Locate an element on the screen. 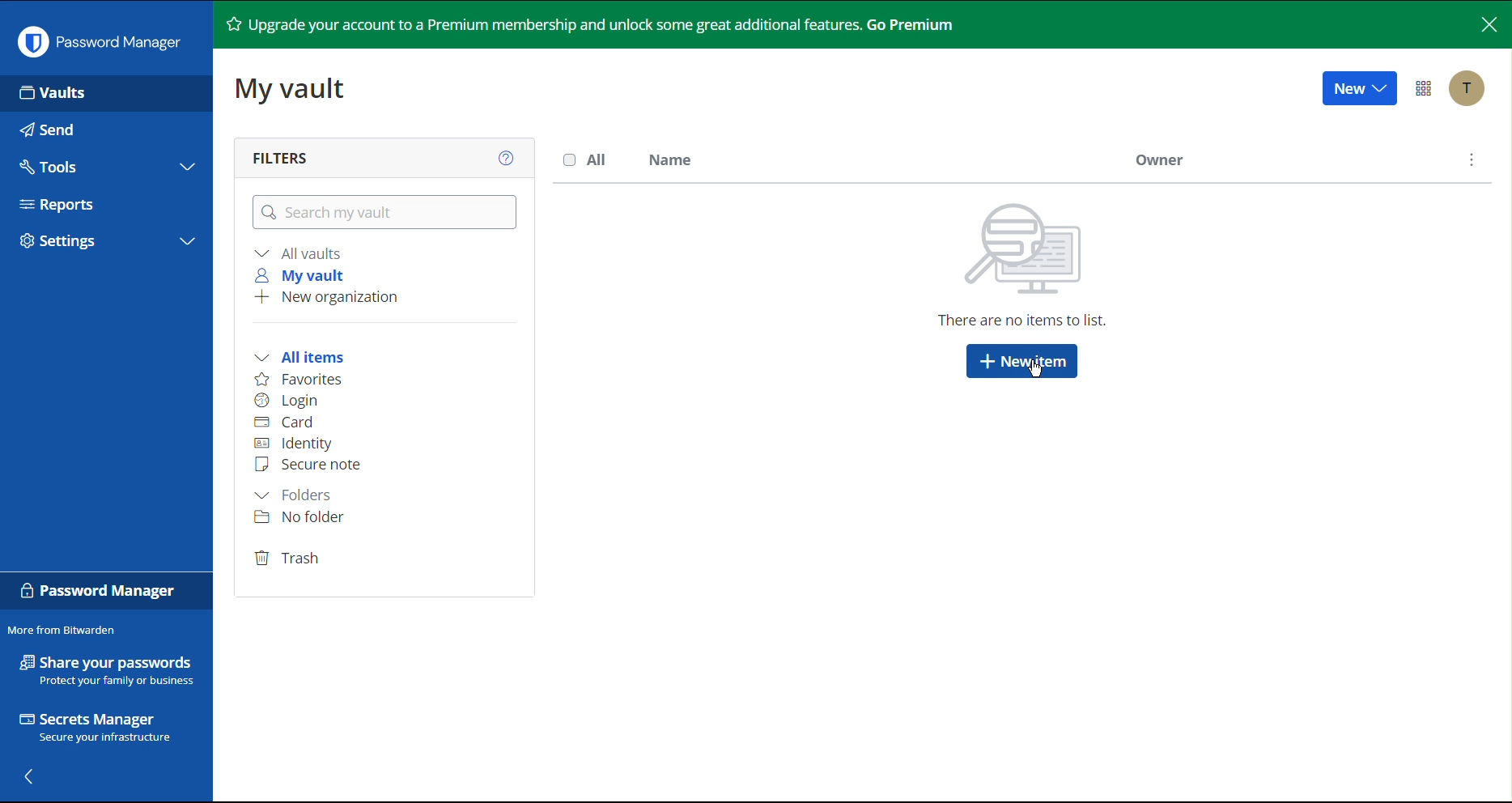 The image size is (1512, 803). More is located at coordinates (1469, 162).